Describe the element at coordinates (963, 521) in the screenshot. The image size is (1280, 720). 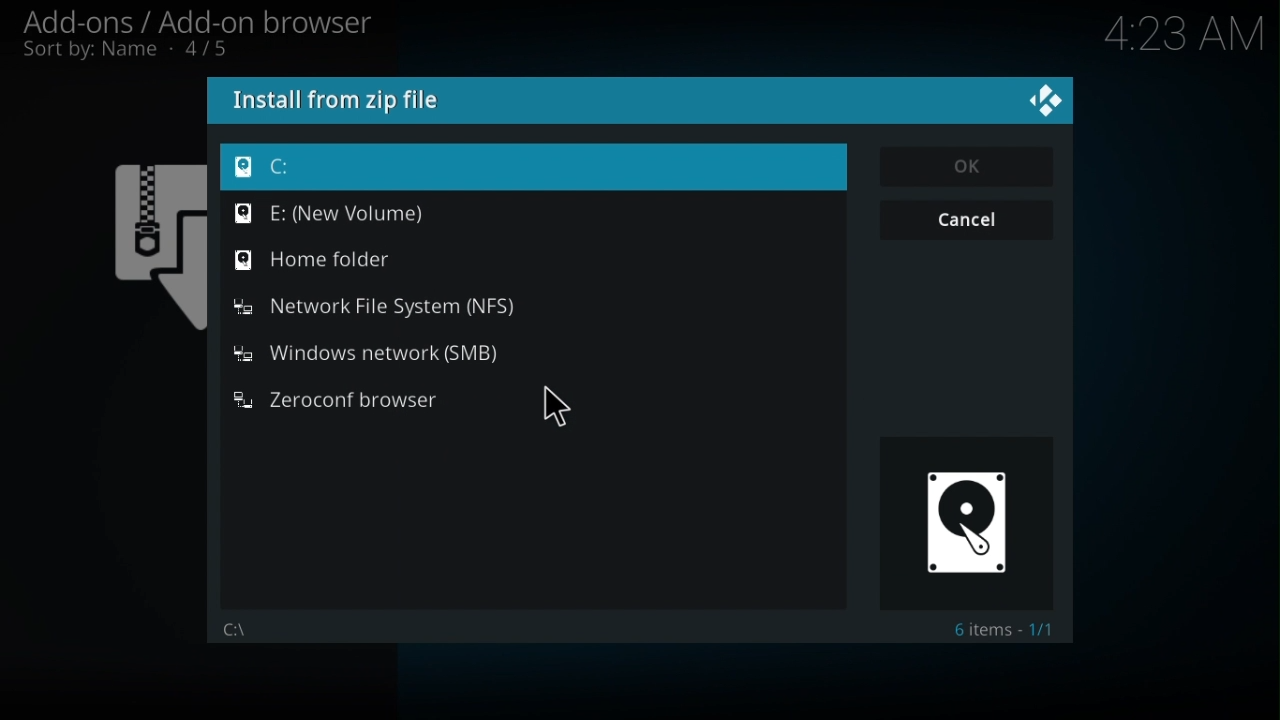
I see `Image` at that location.